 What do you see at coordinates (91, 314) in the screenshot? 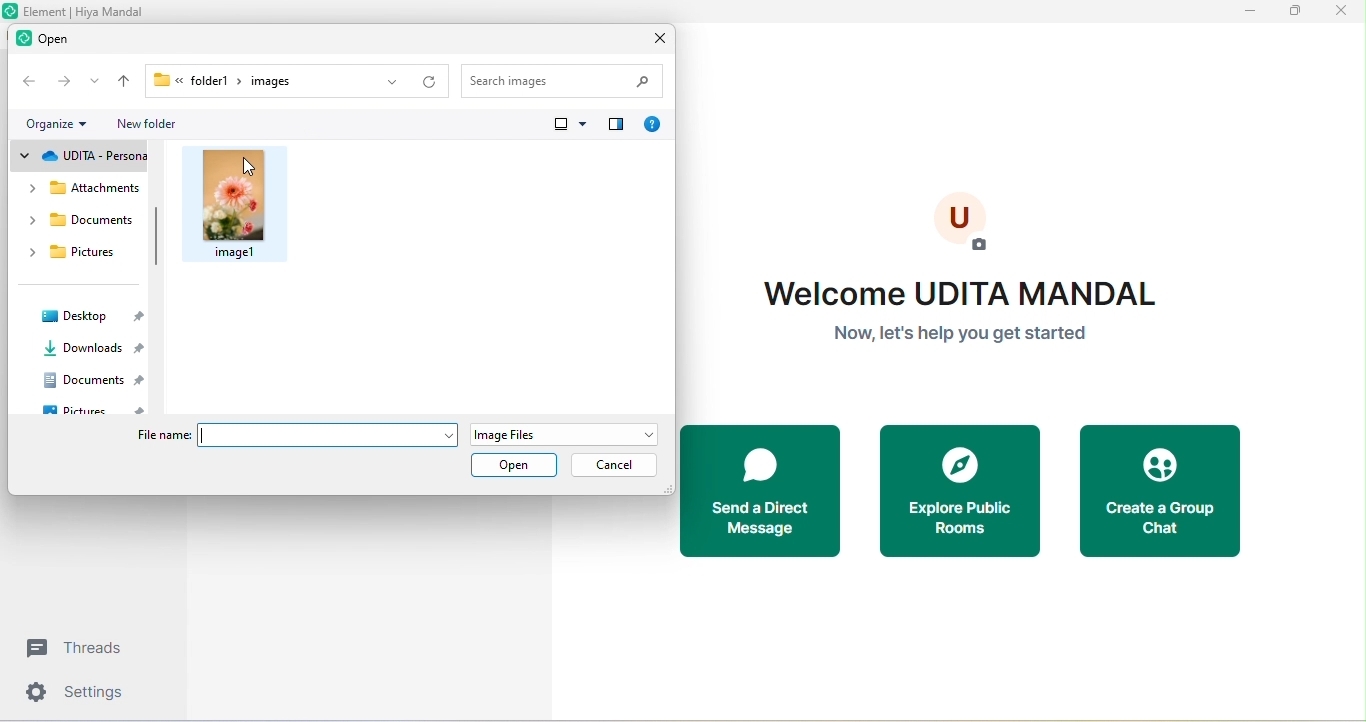
I see `desktop` at bounding box center [91, 314].